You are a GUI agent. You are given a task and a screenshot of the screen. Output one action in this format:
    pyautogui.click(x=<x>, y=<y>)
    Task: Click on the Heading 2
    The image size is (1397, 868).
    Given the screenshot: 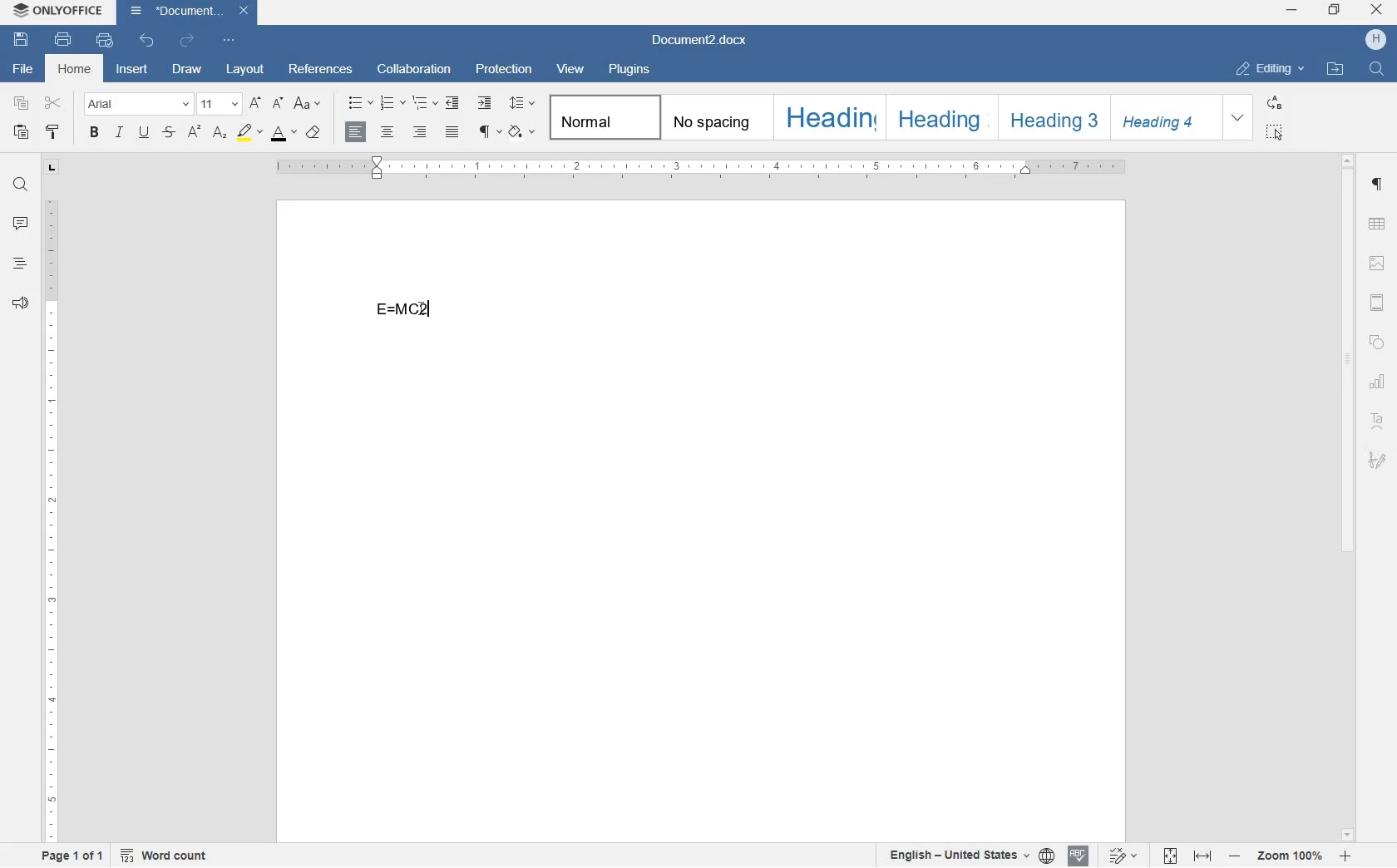 What is the action you would take?
    pyautogui.click(x=939, y=118)
    